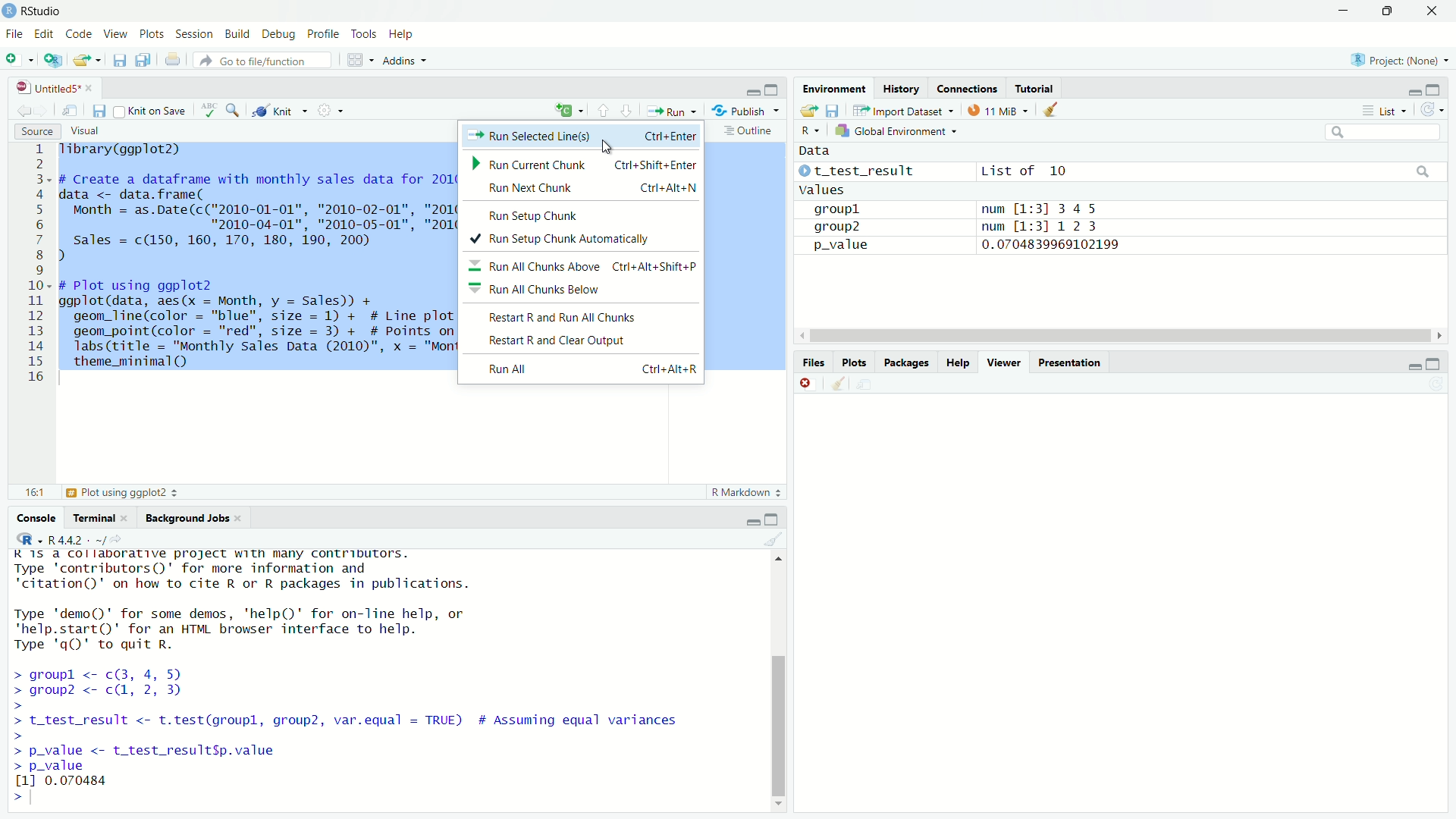  Describe the element at coordinates (1378, 130) in the screenshot. I see `` at that location.